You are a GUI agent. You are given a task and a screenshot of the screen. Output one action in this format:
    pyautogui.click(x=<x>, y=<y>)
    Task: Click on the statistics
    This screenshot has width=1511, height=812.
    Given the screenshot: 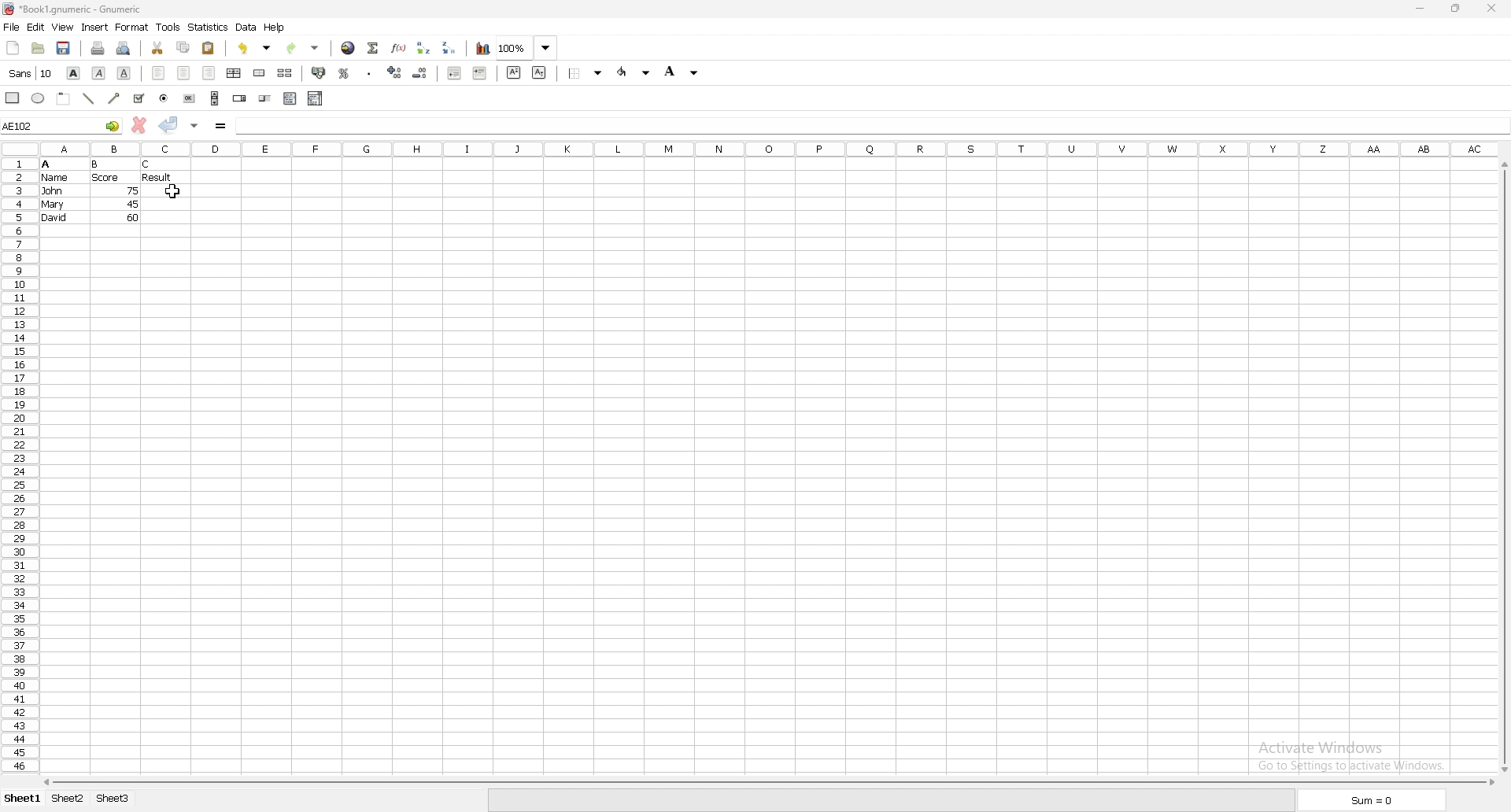 What is the action you would take?
    pyautogui.click(x=208, y=27)
    